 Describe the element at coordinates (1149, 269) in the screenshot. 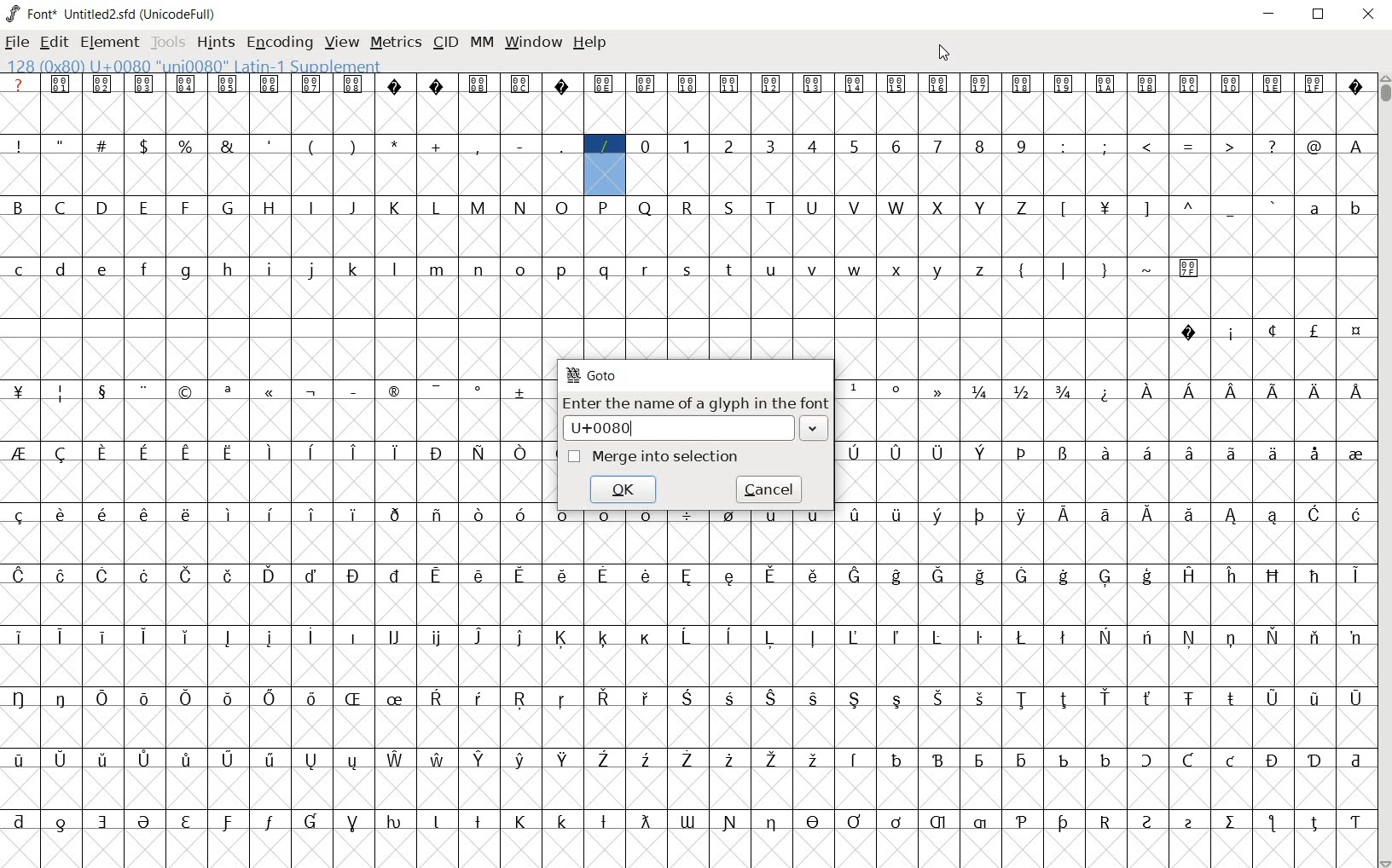

I see `glyph` at that location.